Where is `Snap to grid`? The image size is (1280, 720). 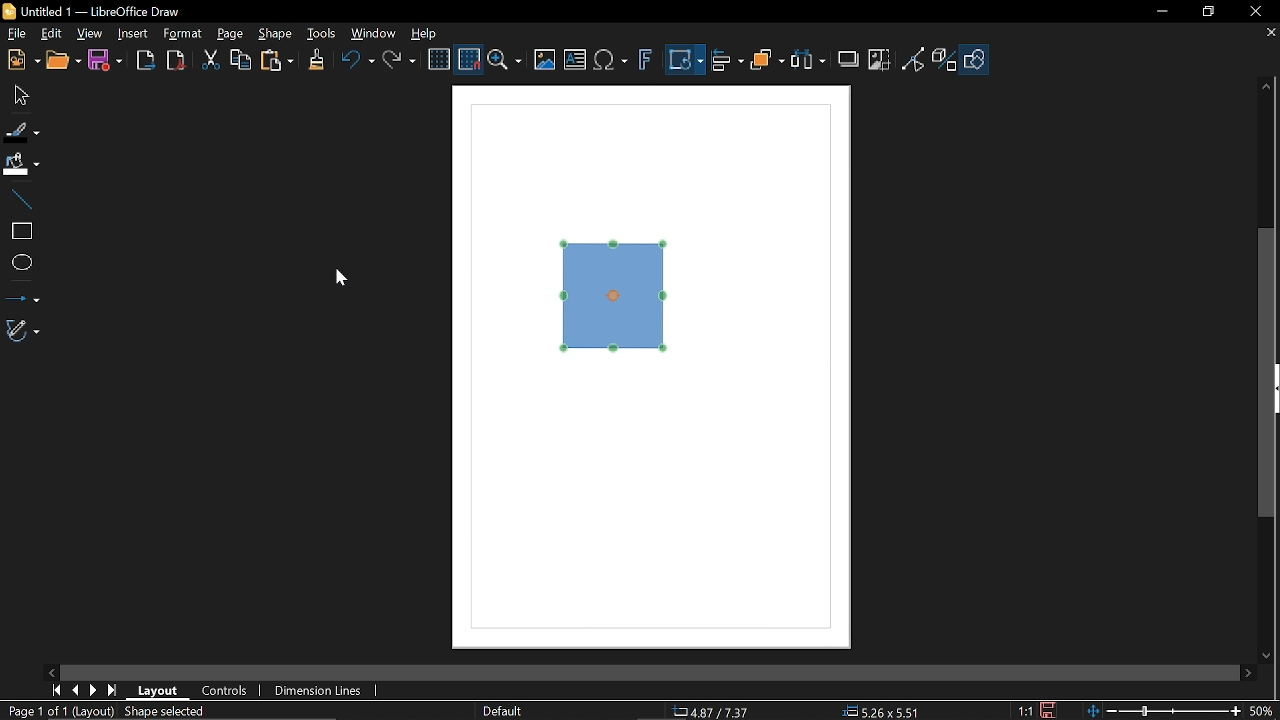 Snap to grid is located at coordinates (470, 60).